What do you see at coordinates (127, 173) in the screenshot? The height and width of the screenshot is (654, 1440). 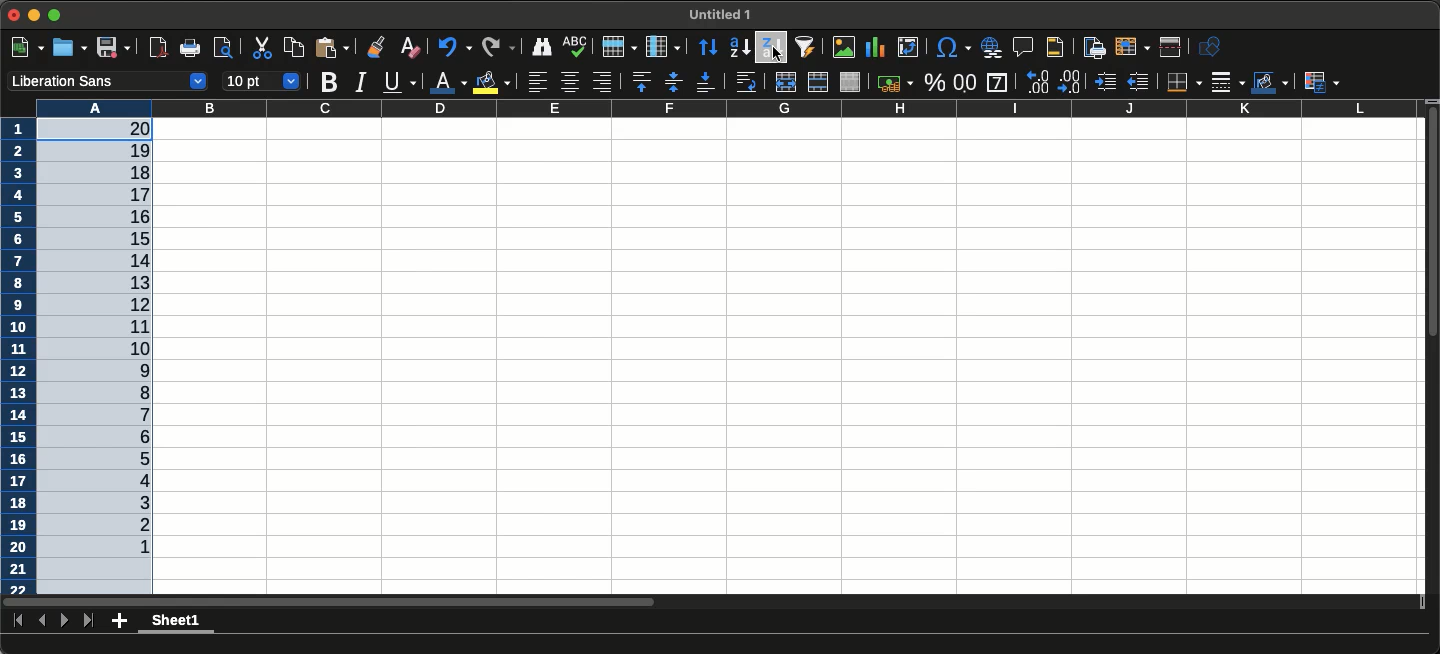 I see `3` at bounding box center [127, 173].